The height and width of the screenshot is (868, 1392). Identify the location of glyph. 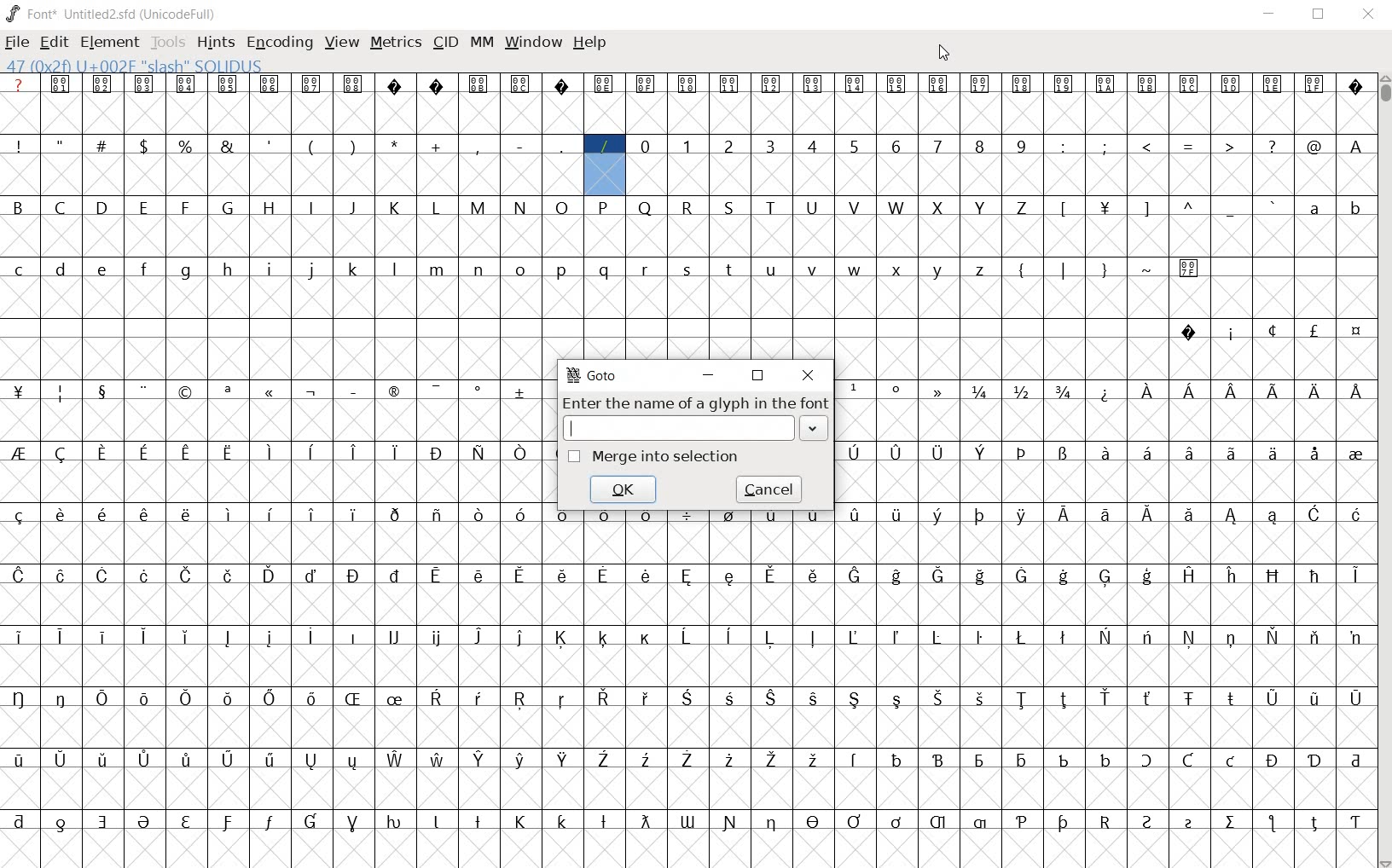
(1064, 270).